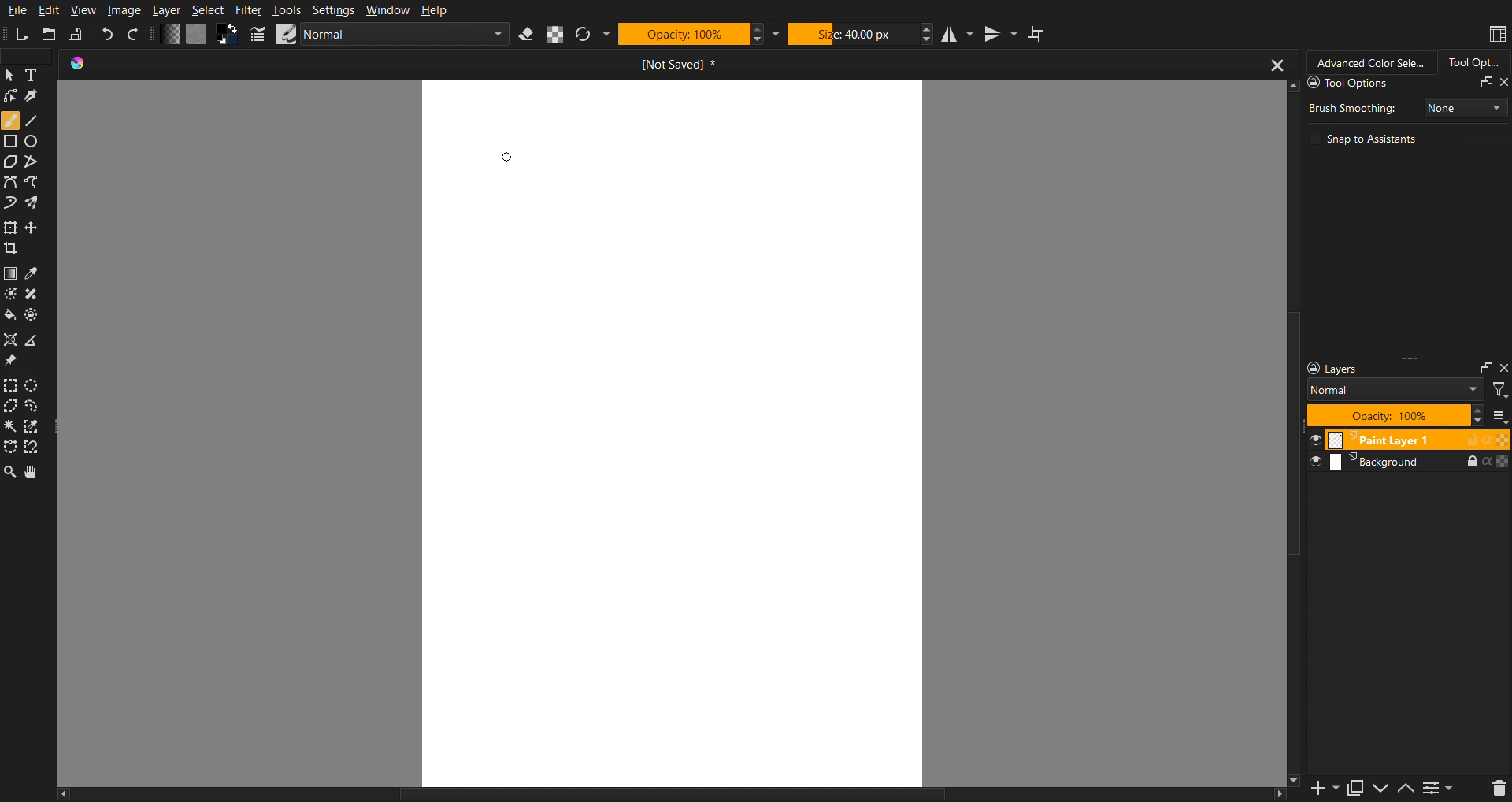 Image resolution: width=1512 pixels, height=802 pixels. Describe the element at coordinates (37, 76) in the screenshot. I see `Text` at that location.